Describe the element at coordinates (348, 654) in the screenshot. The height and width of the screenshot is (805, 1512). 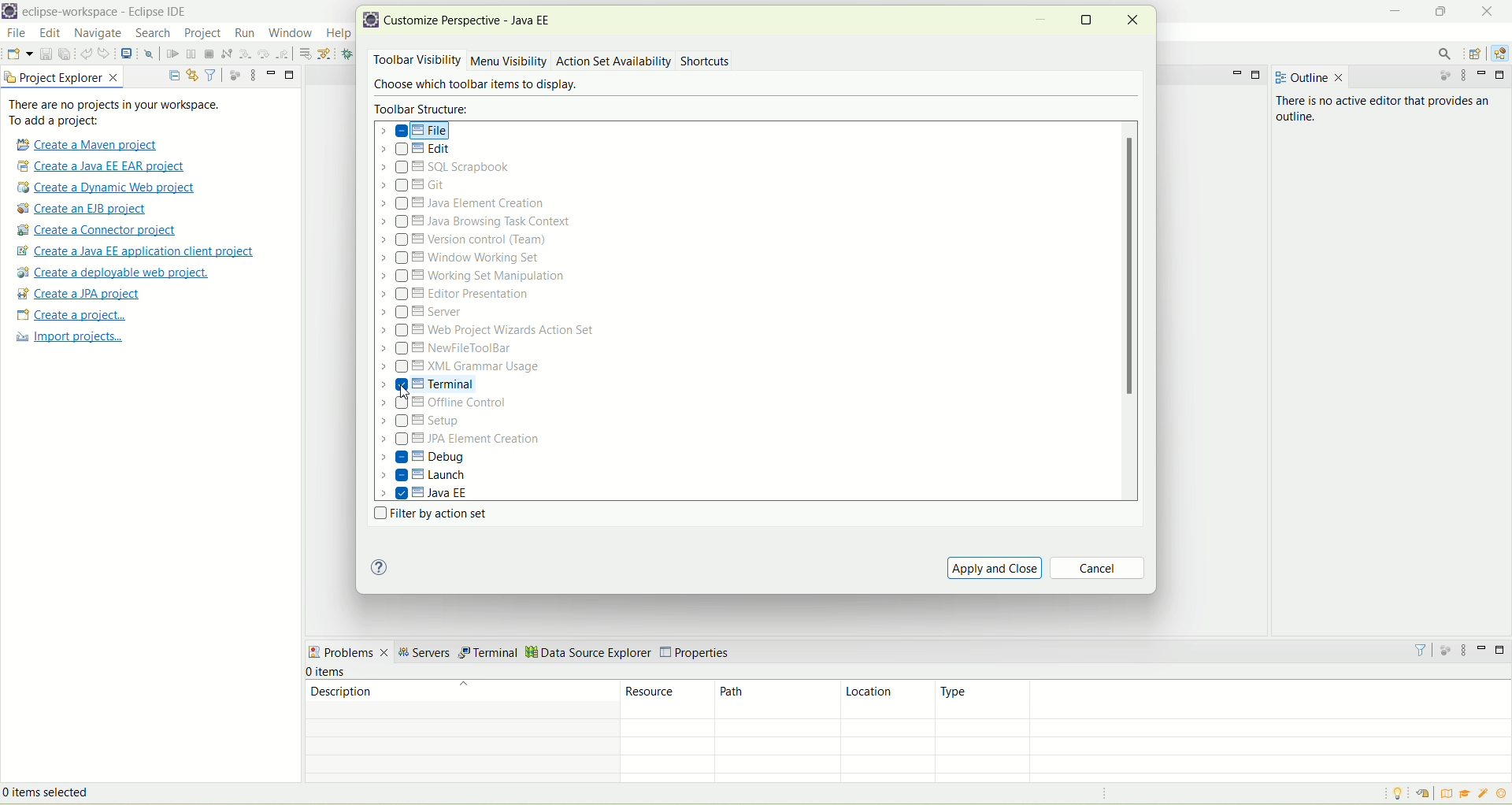
I see `problems` at that location.